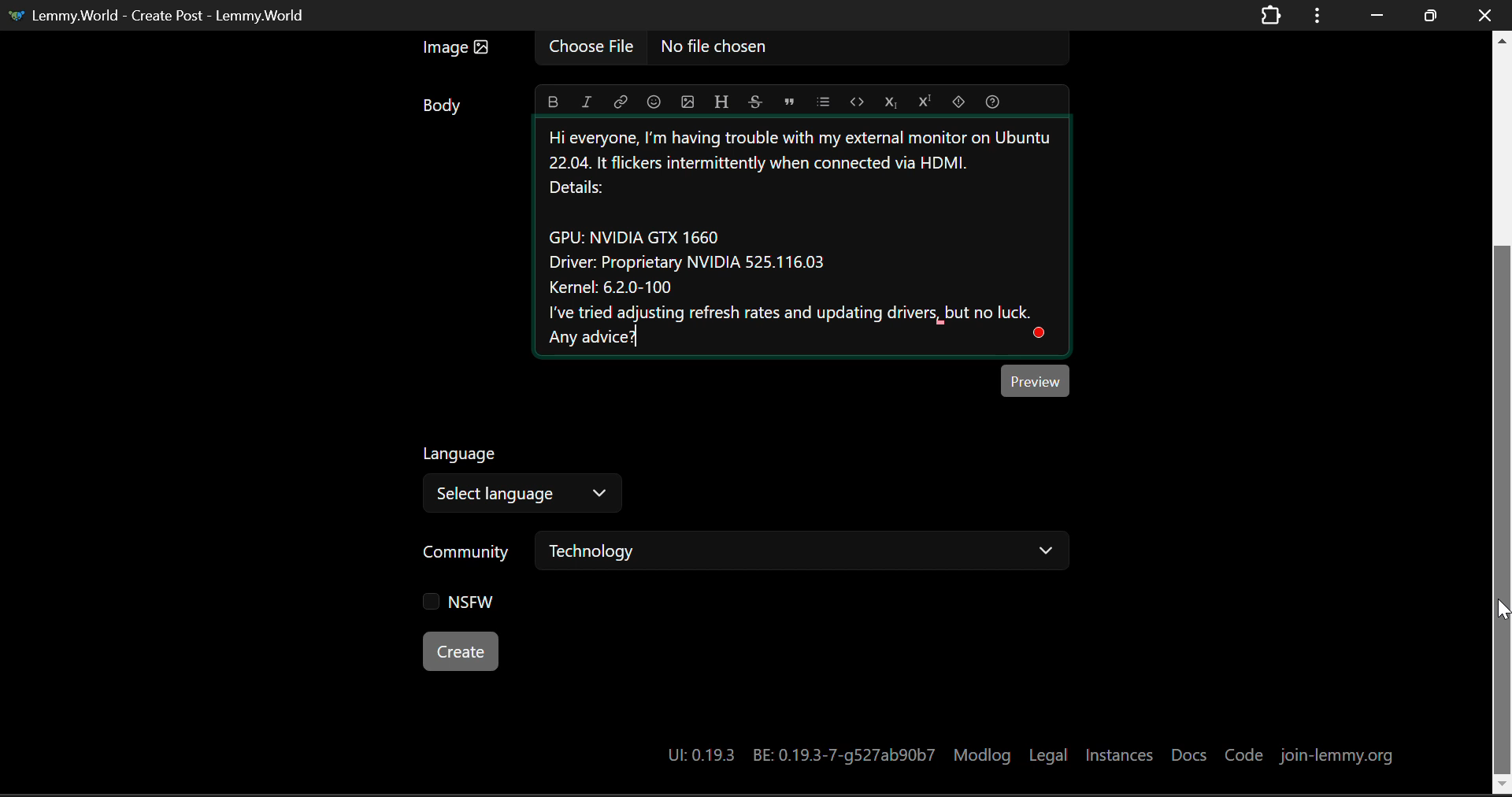 This screenshot has width=1512, height=797. I want to click on Code, so click(857, 101).